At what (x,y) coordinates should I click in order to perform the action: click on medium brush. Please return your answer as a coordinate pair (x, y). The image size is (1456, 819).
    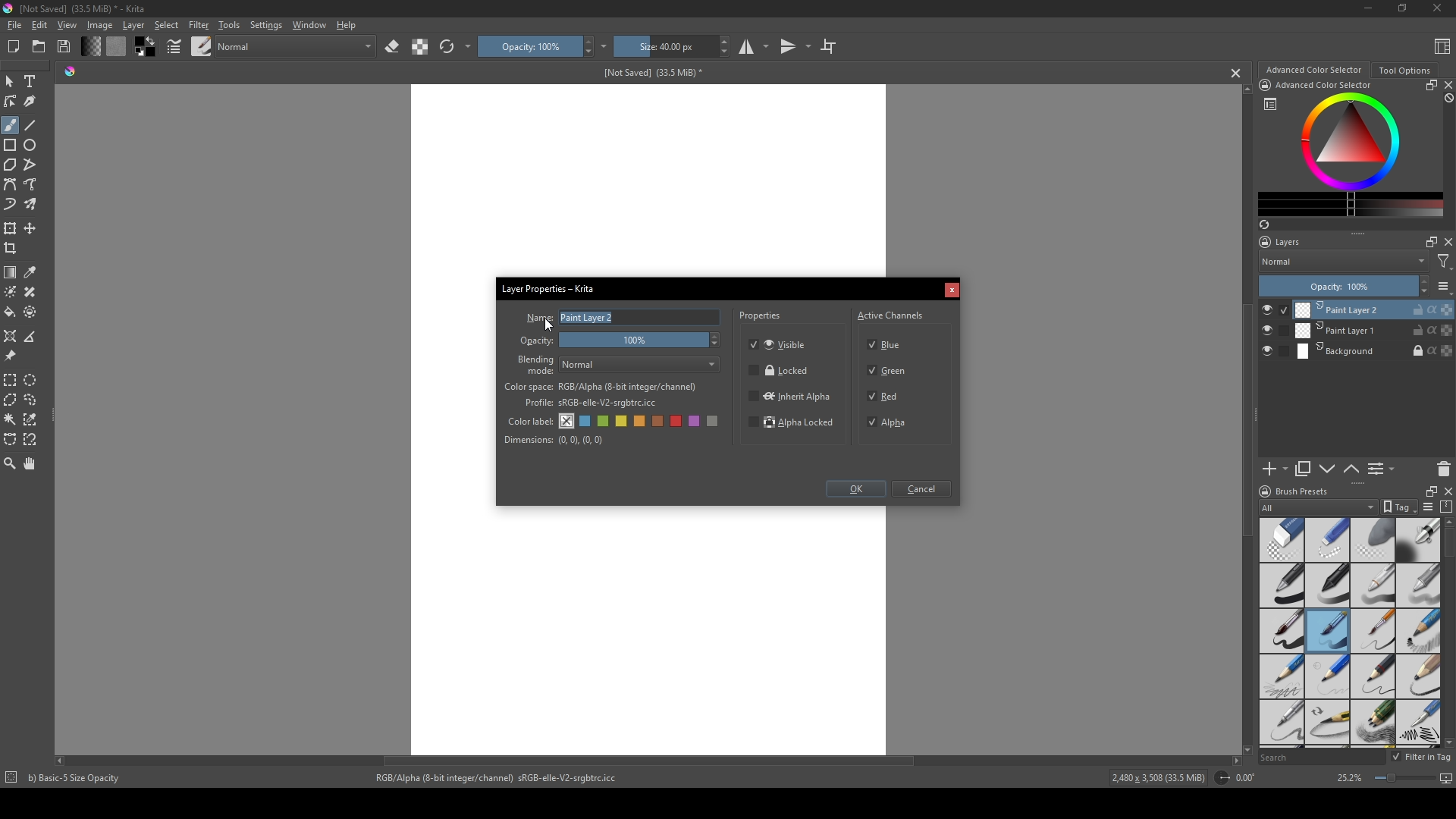
    Looking at the image, I should click on (1327, 631).